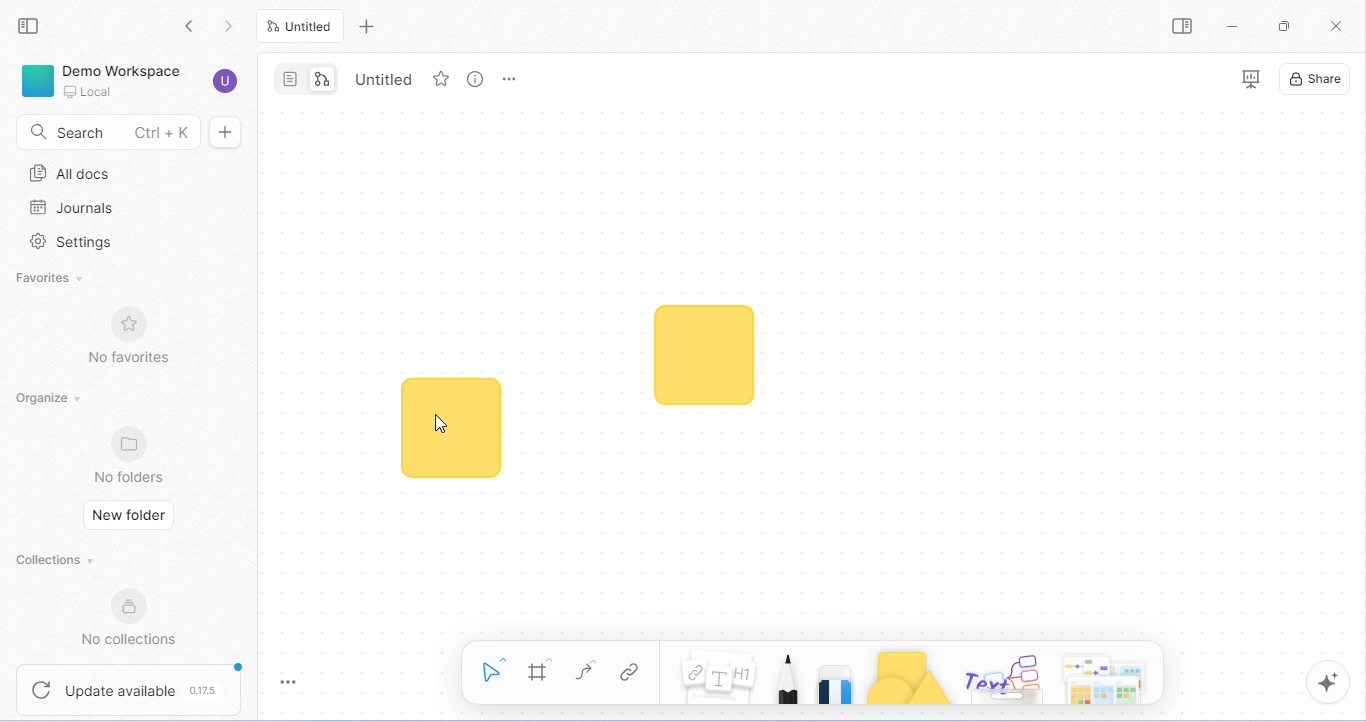 This screenshot has width=1366, height=722. I want to click on curve, so click(587, 671).